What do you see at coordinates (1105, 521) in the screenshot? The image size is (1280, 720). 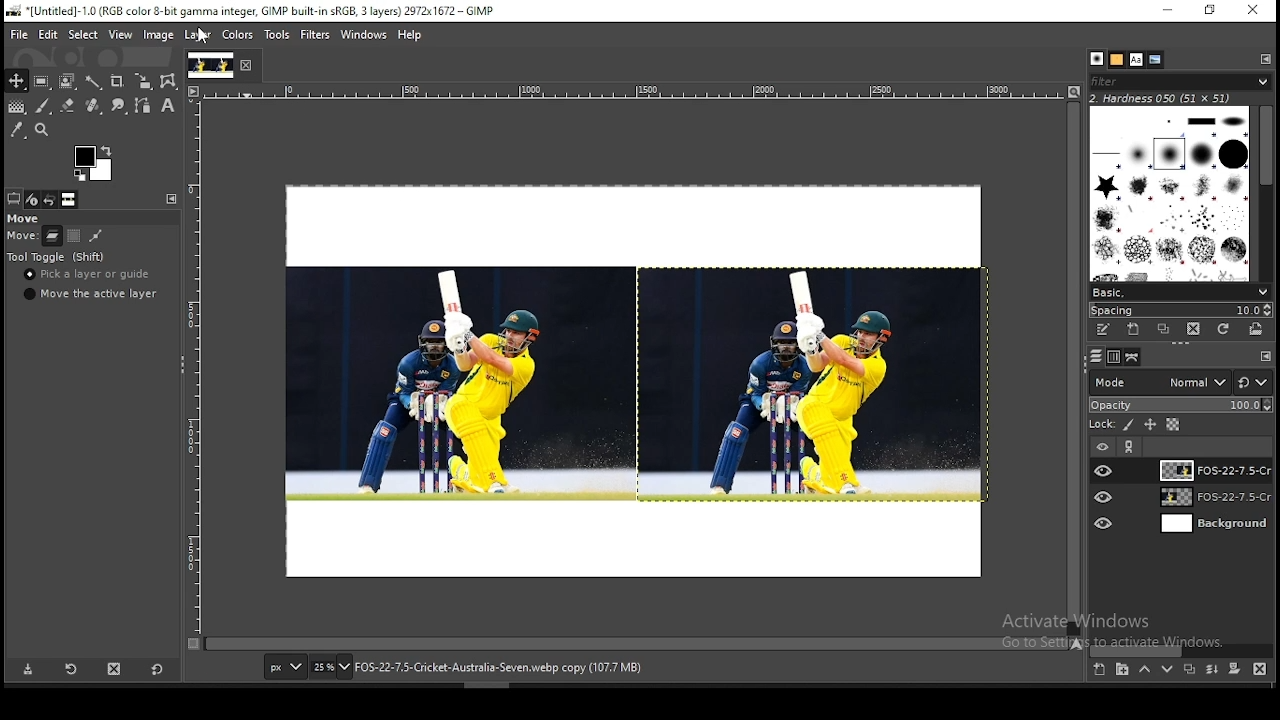 I see `layer visibility on/off` at bounding box center [1105, 521].